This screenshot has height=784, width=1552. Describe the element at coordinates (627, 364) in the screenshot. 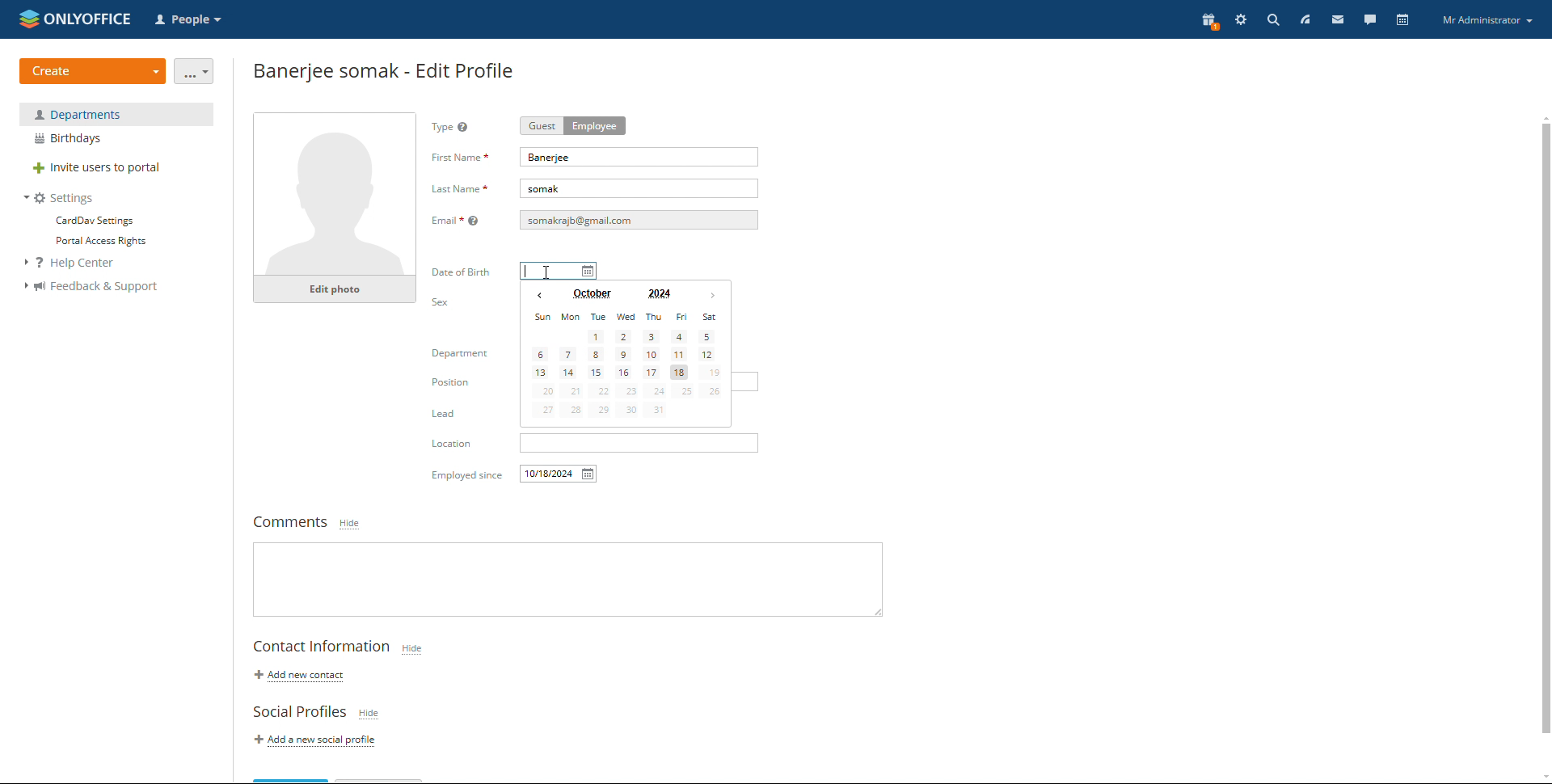

I see `calendar` at that location.